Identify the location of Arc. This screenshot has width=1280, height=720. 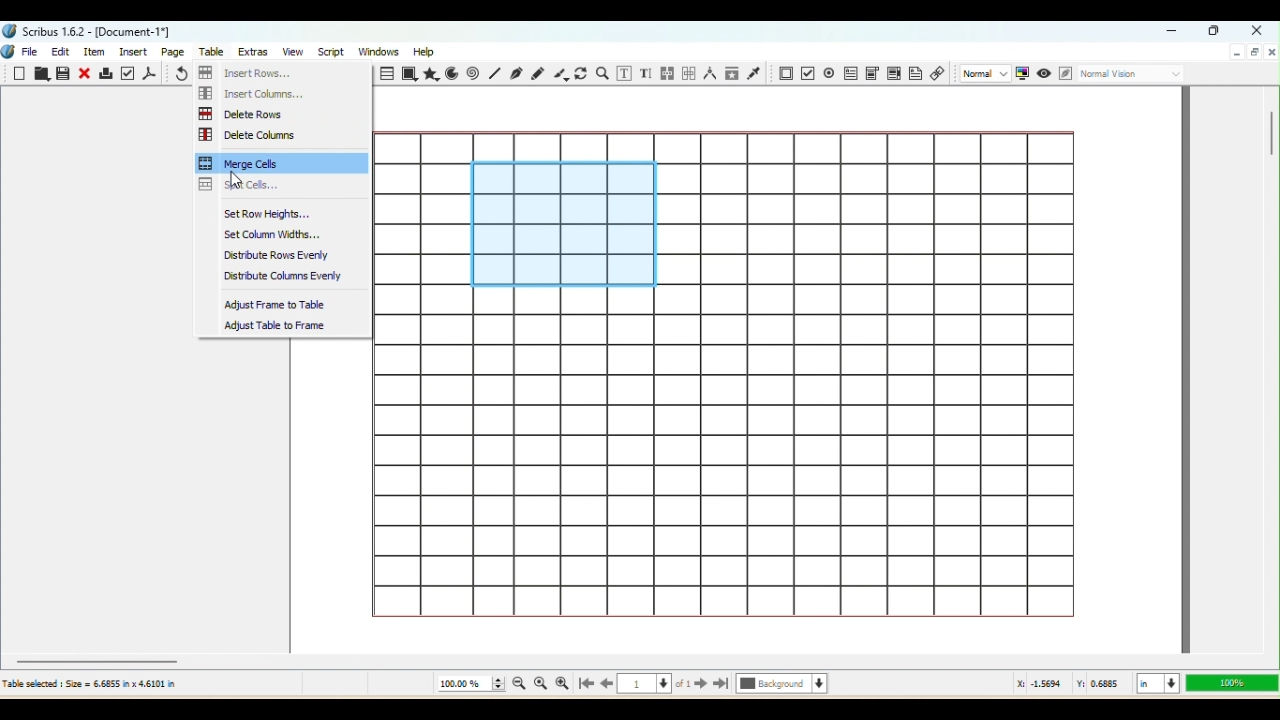
(454, 73).